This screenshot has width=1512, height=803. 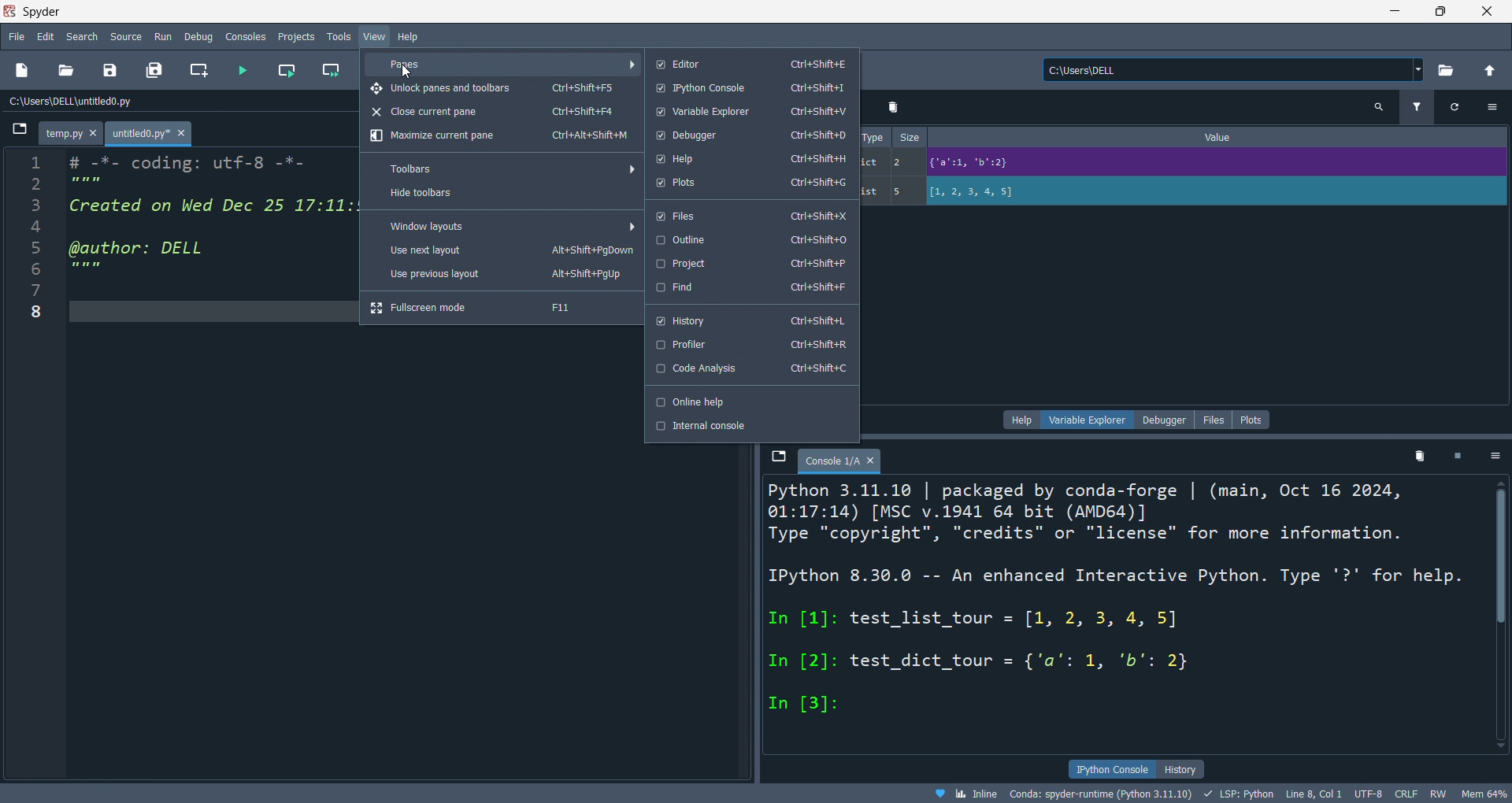 What do you see at coordinates (1441, 10) in the screenshot?
I see `maximize` at bounding box center [1441, 10].